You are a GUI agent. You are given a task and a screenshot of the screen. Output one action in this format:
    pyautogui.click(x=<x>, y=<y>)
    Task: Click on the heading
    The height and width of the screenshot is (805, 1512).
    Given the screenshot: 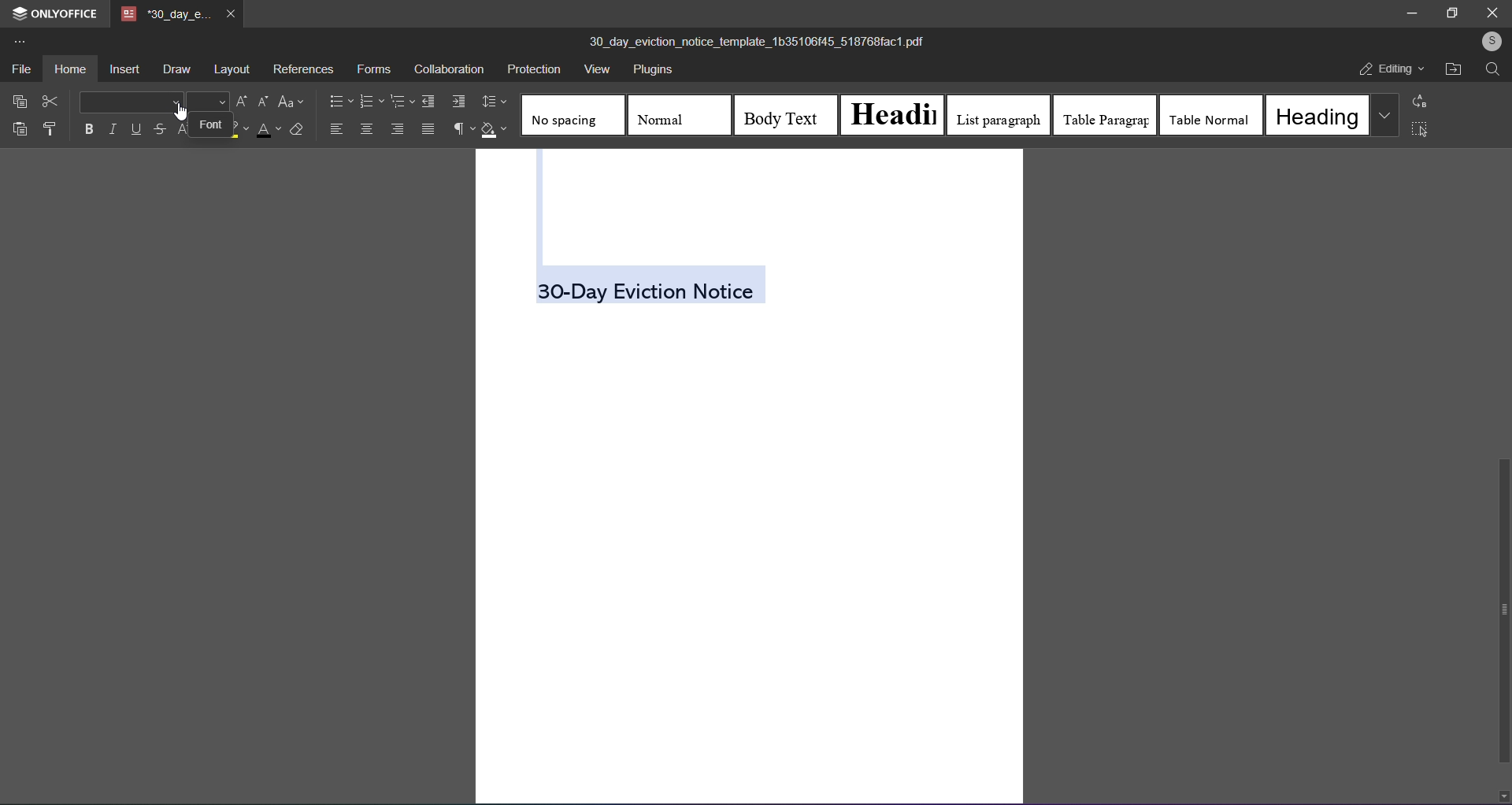 What is the action you would take?
    pyautogui.click(x=896, y=113)
    